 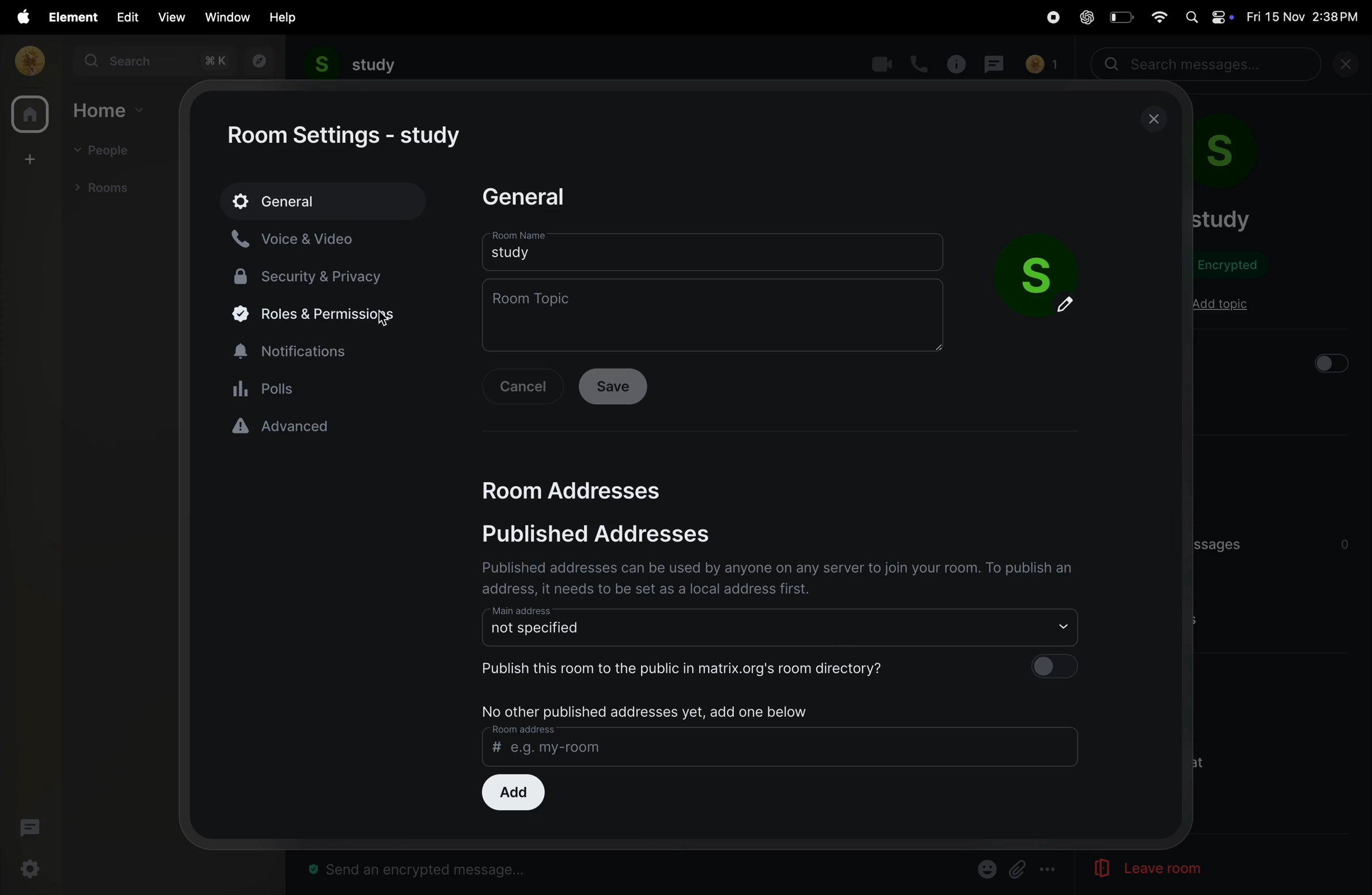 I want to click on info, so click(x=959, y=63).